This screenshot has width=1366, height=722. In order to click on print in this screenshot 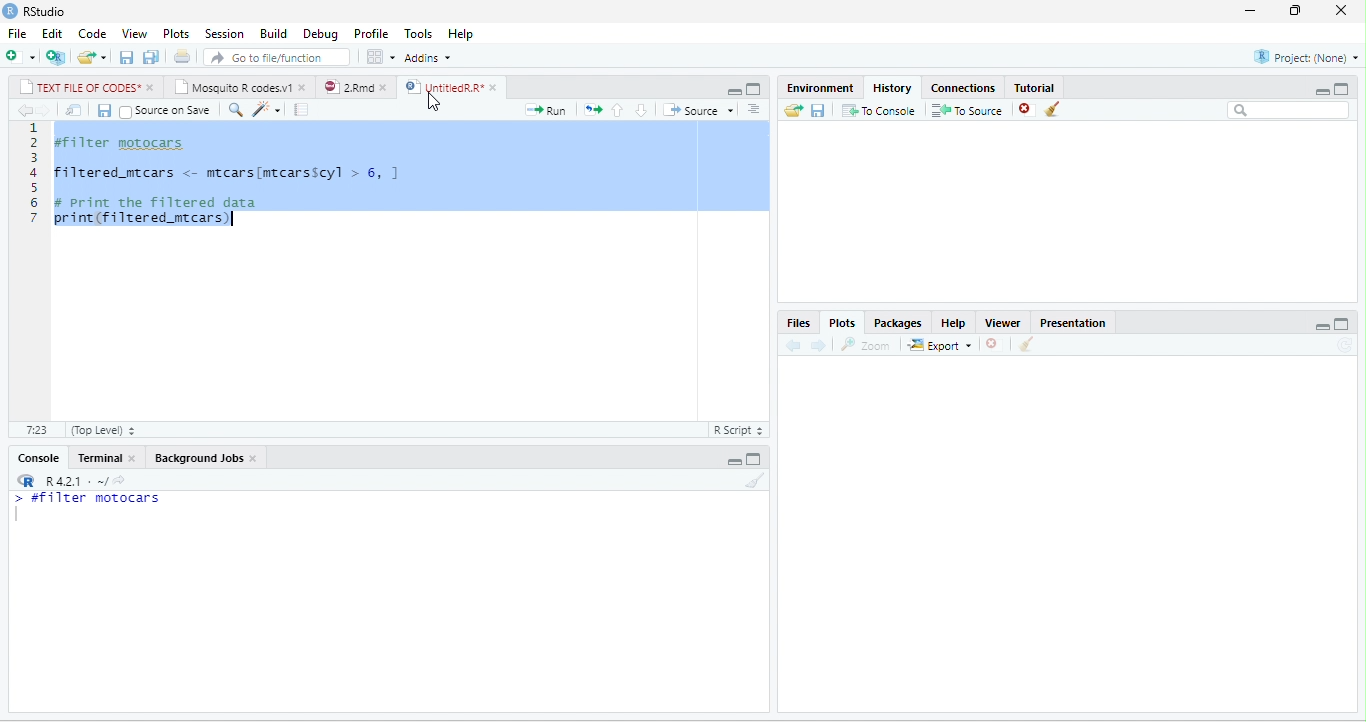, I will do `click(182, 56)`.